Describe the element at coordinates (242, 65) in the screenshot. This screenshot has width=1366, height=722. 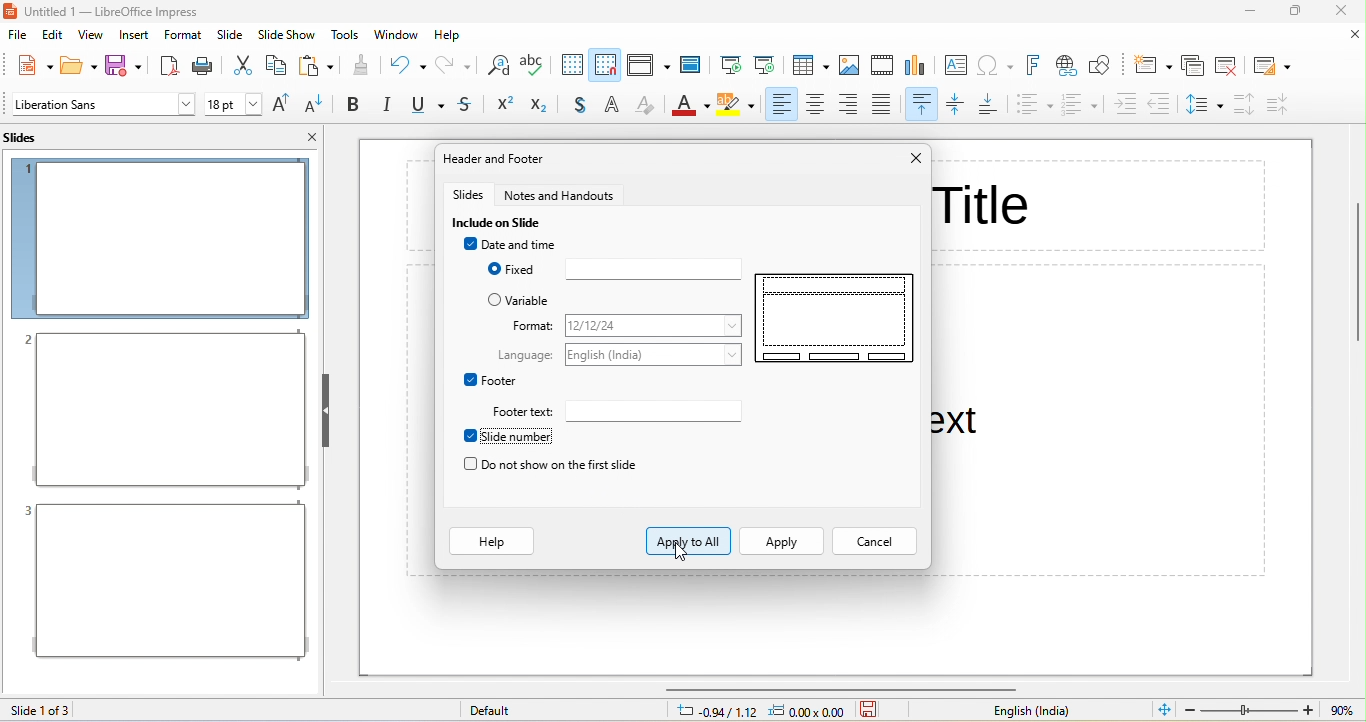
I see `cut` at that location.